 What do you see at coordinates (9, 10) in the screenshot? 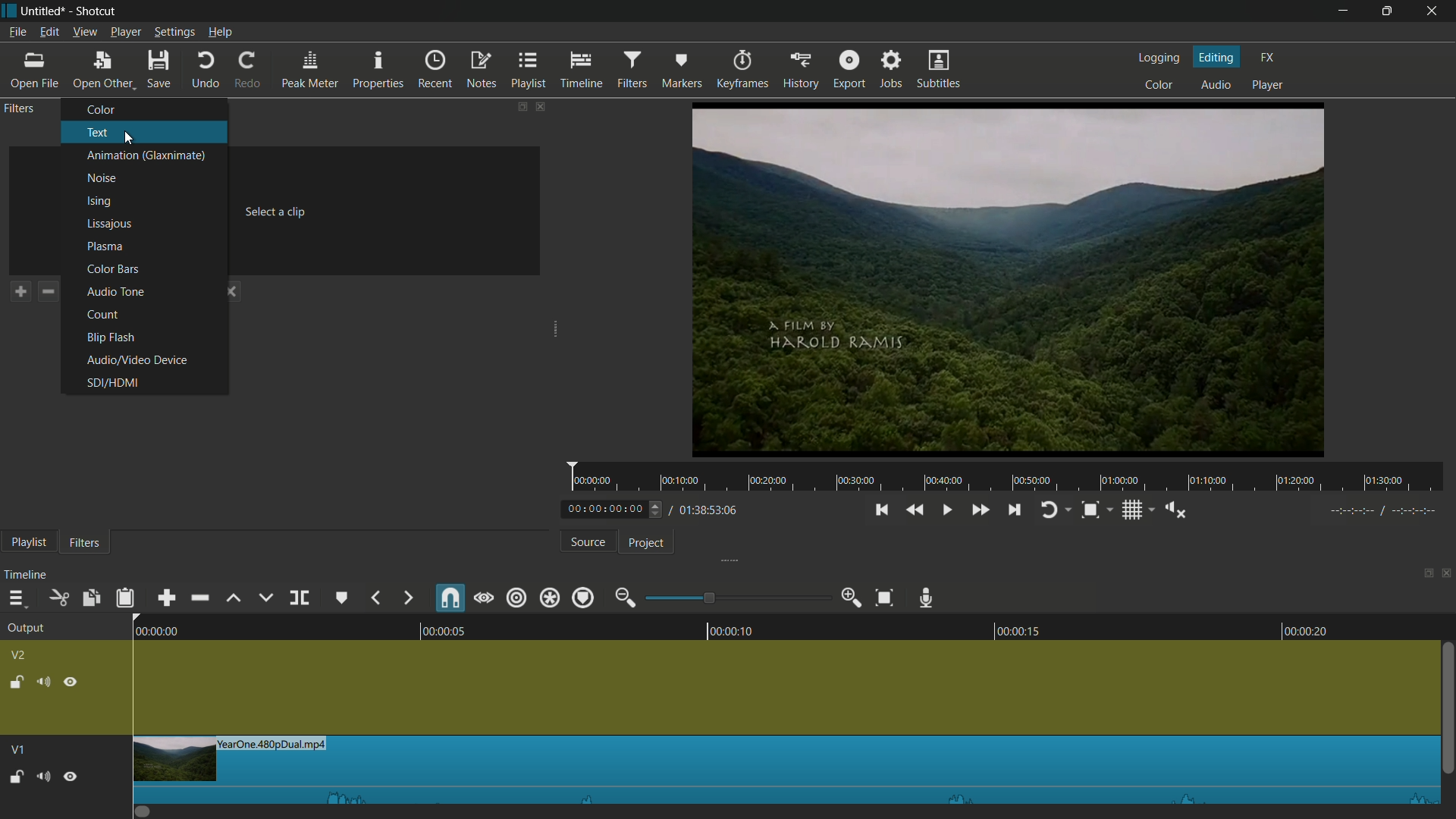
I see `app icon` at bounding box center [9, 10].